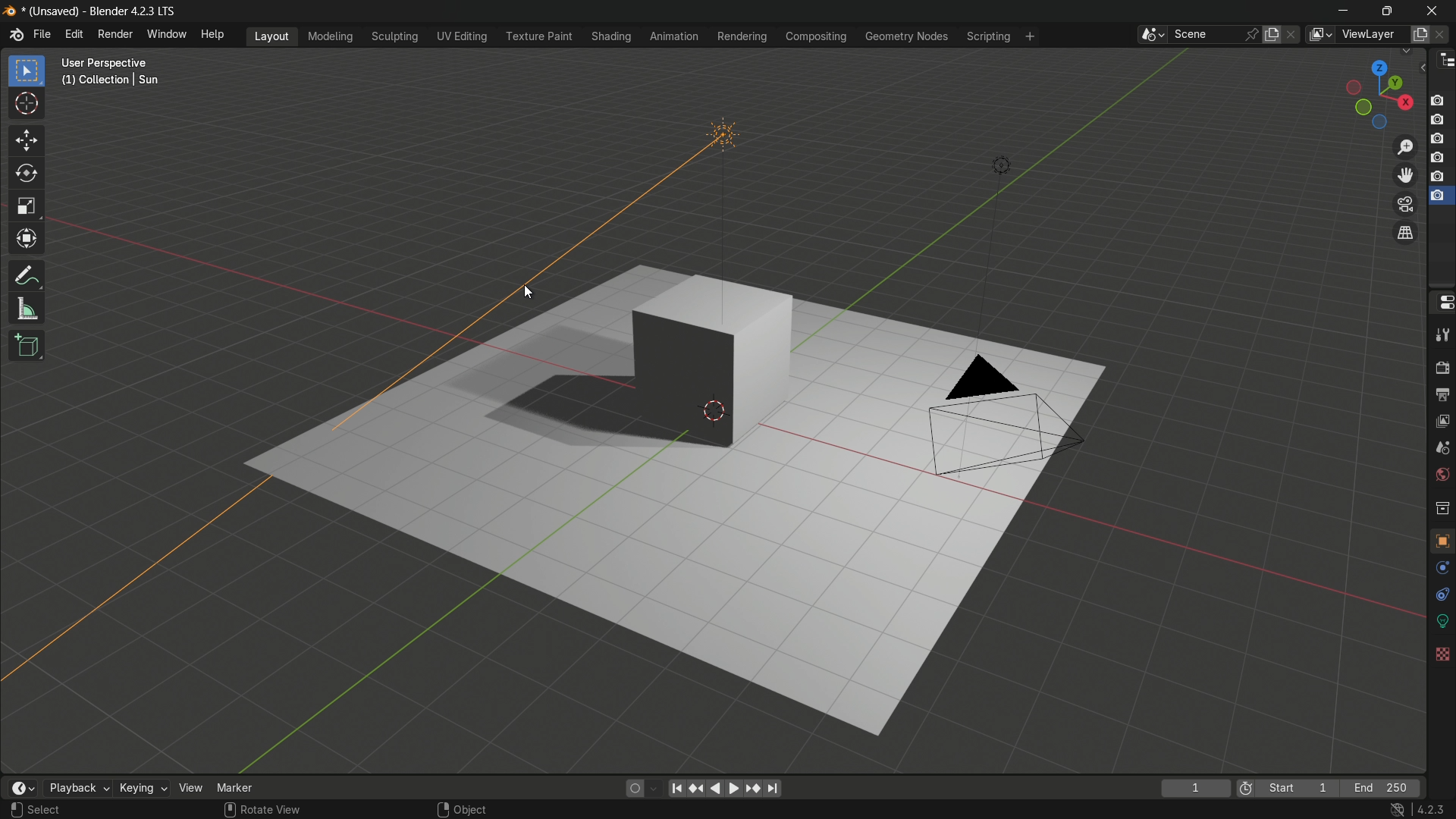 The width and height of the screenshot is (1456, 819). I want to click on view layer, so click(1443, 422).